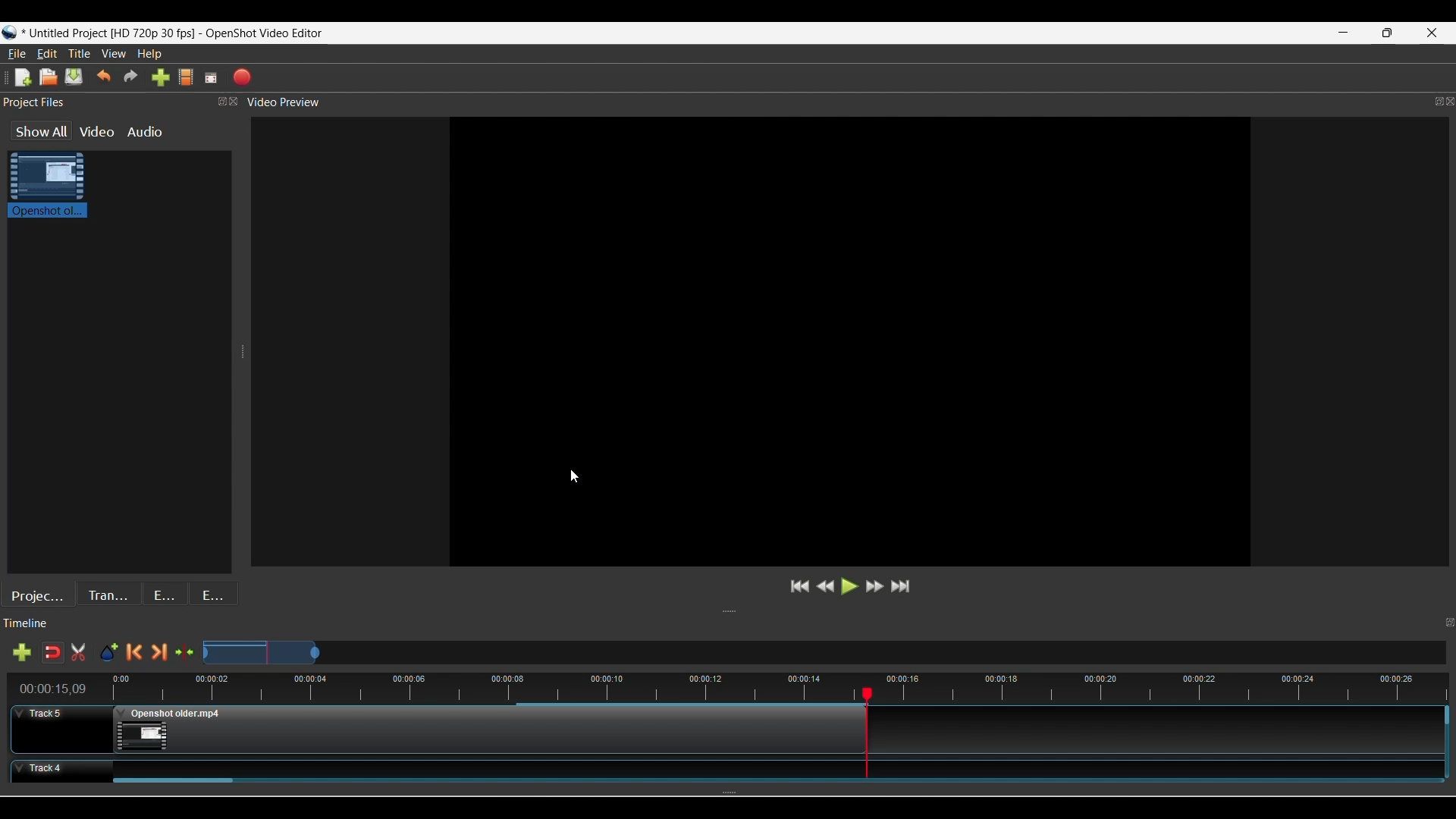 The width and height of the screenshot is (1456, 819). Describe the element at coordinates (10, 33) in the screenshot. I see `Software logo` at that location.